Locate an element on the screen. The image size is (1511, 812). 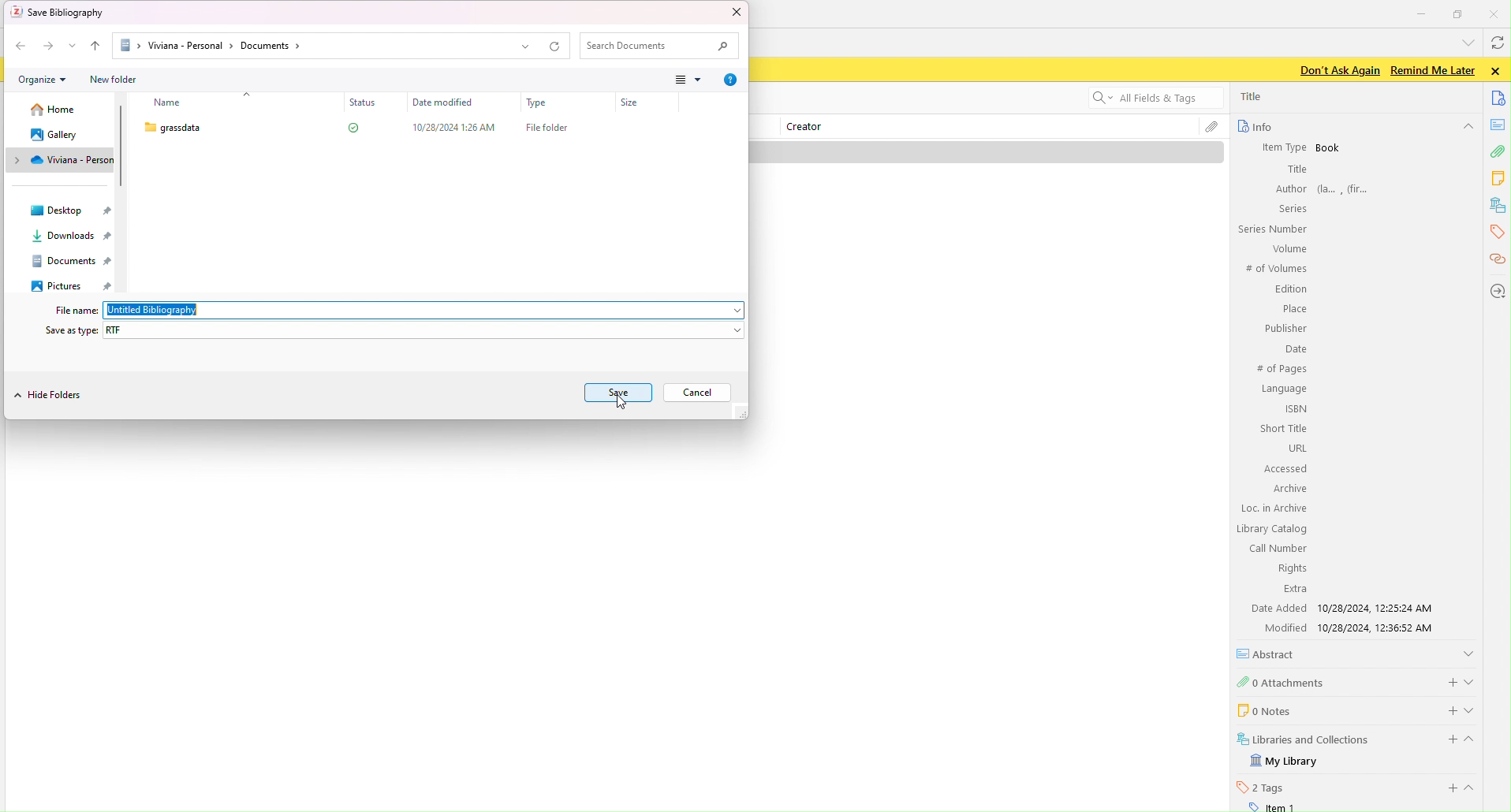
Refresh is located at coordinates (559, 47).